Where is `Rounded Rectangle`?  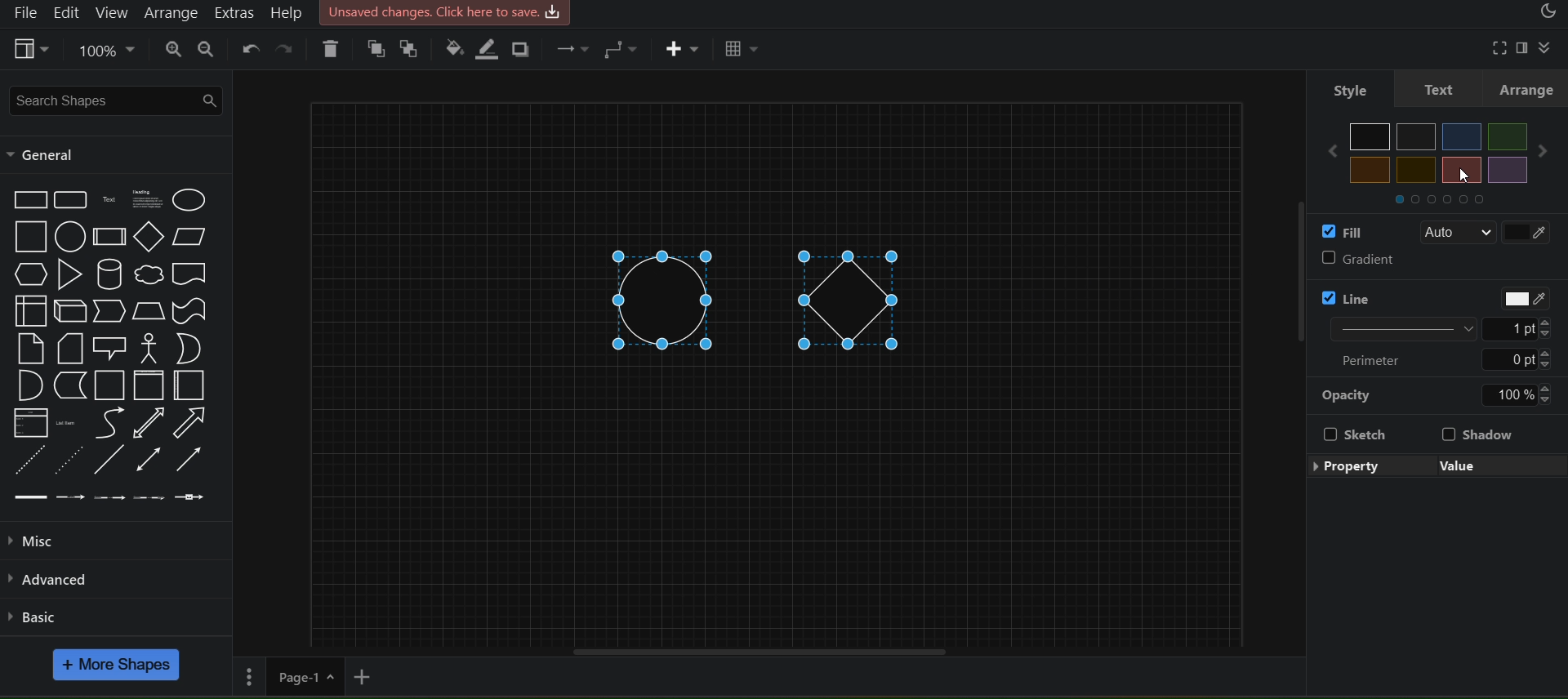
Rounded Rectangle is located at coordinates (72, 200).